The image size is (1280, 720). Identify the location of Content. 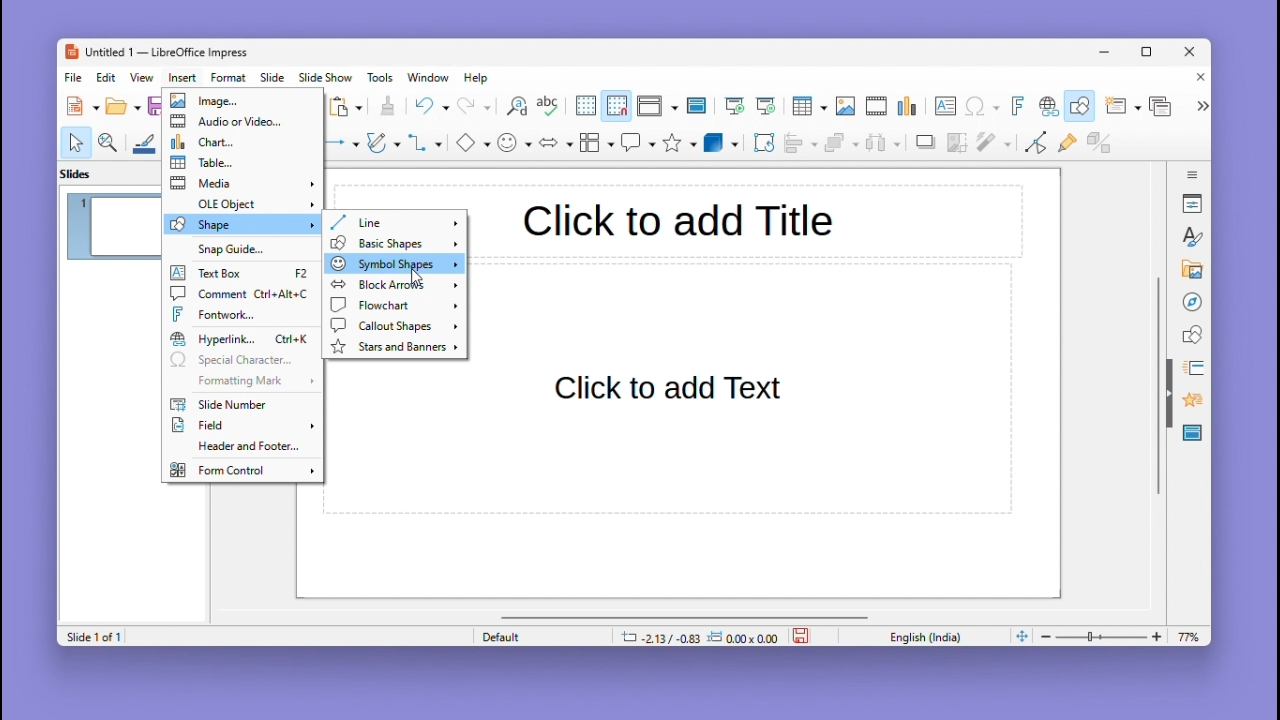
(674, 387).